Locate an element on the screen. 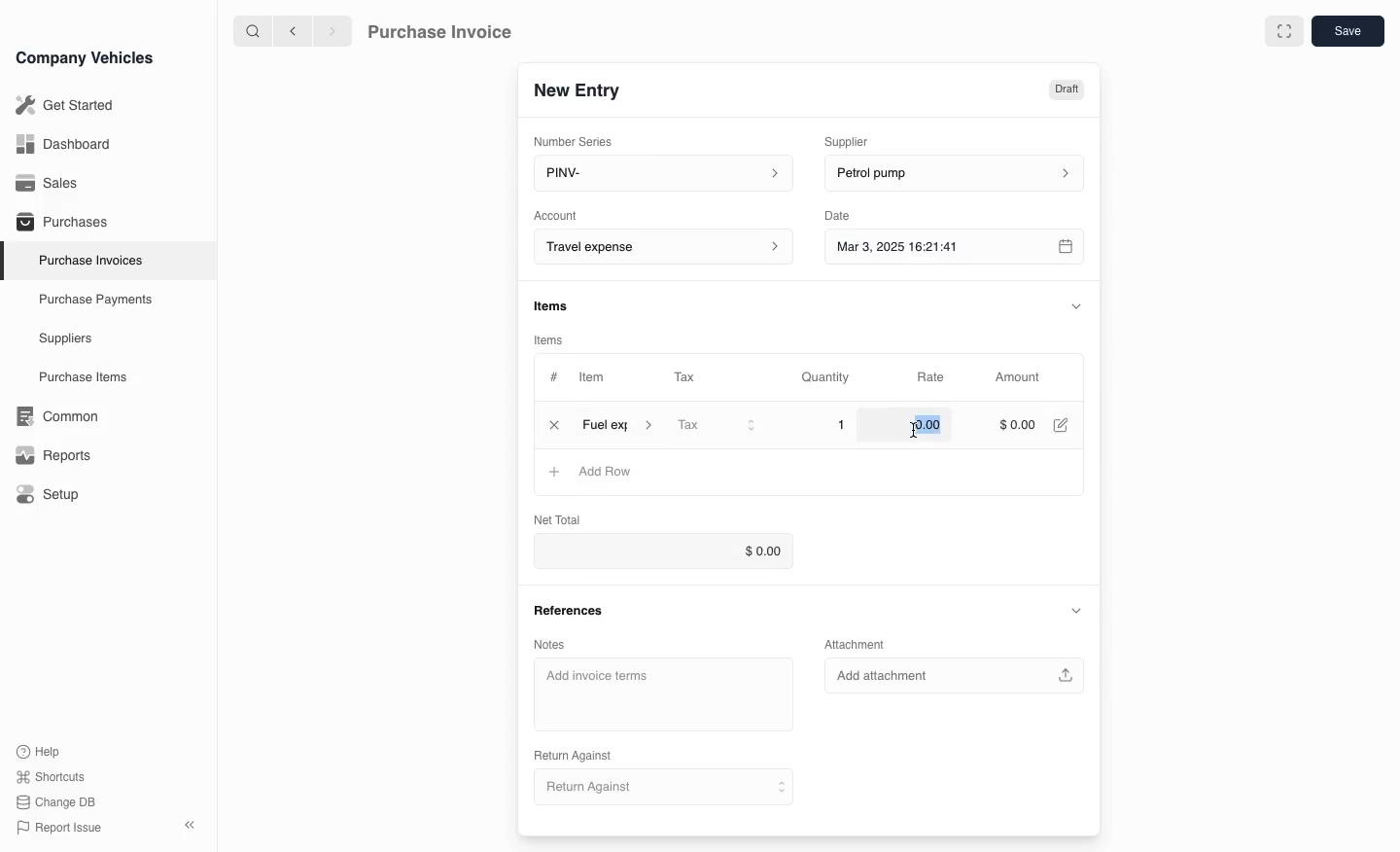 The width and height of the screenshot is (1400, 852). Company Vehicles is located at coordinates (85, 57).